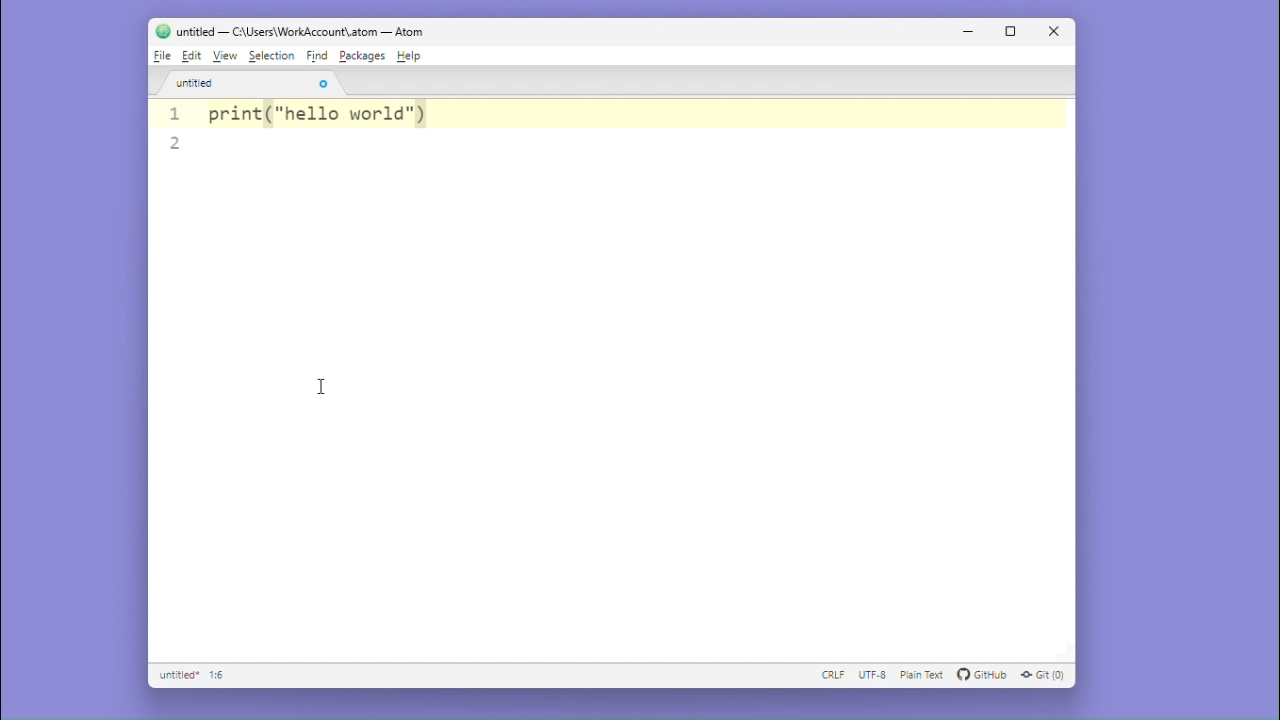 Image resolution: width=1280 pixels, height=720 pixels. I want to click on Help, so click(414, 57).